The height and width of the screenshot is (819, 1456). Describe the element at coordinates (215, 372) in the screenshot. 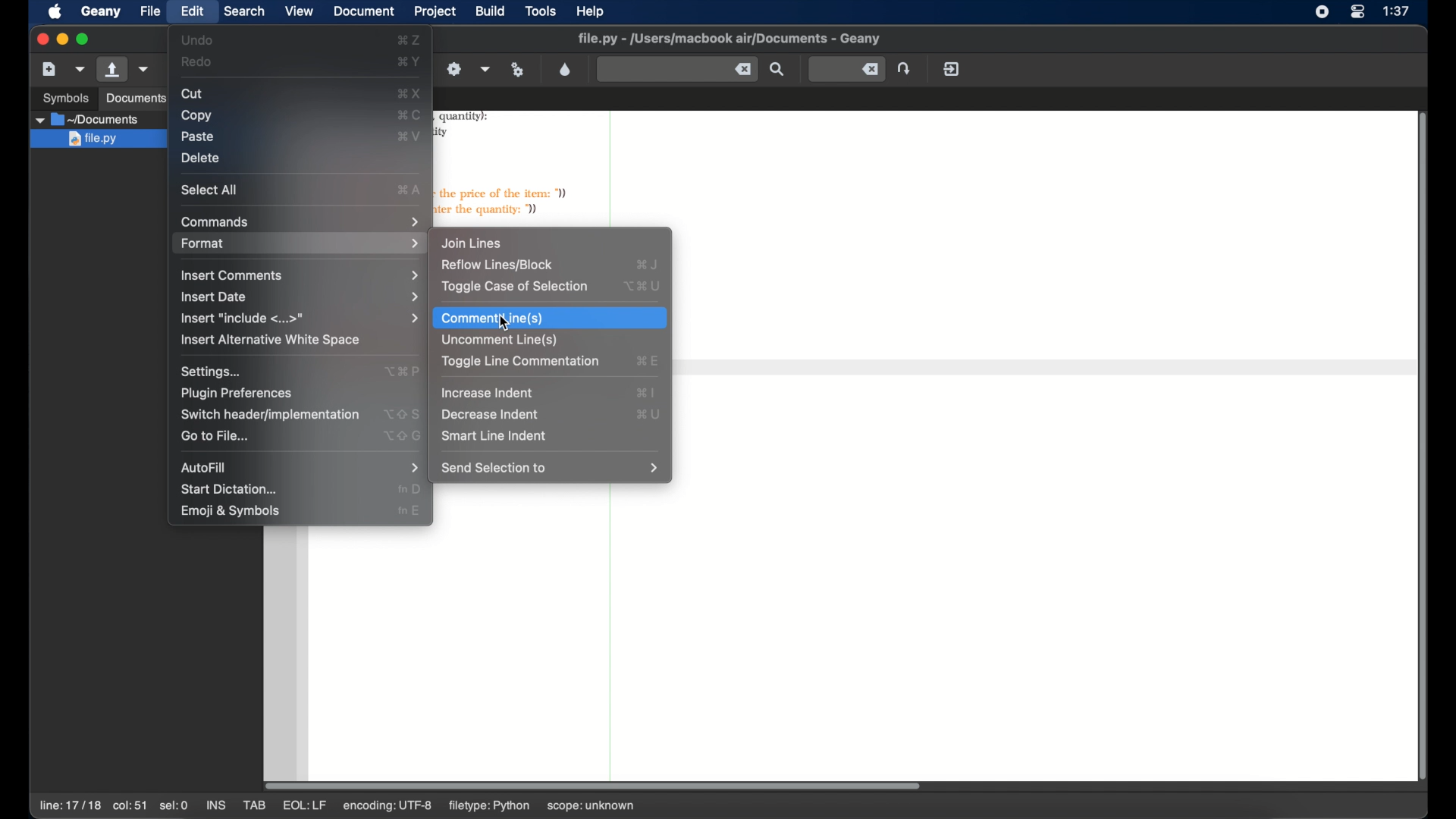

I see `settings` at that location.